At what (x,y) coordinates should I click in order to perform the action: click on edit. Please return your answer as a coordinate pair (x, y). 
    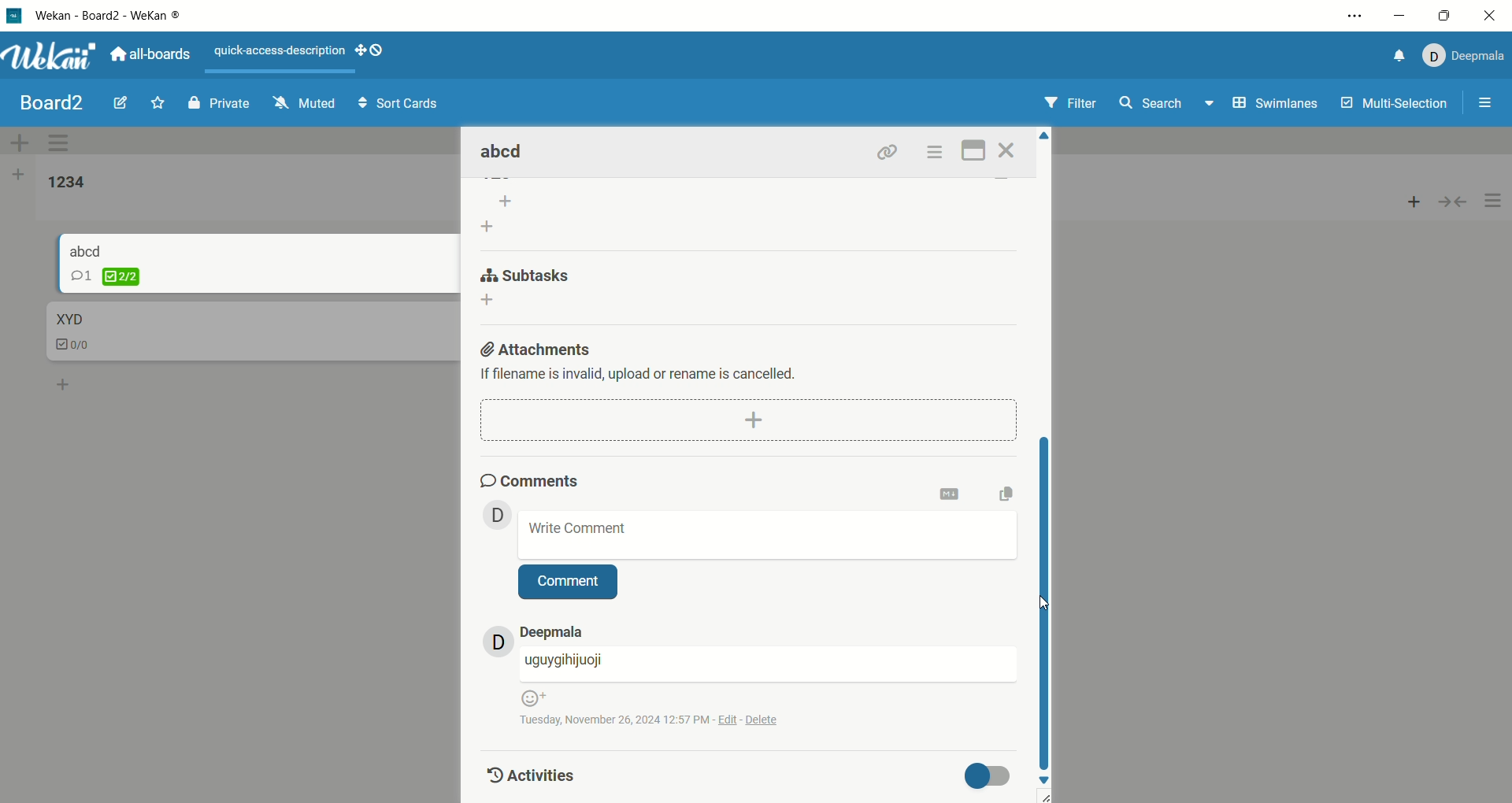
    Looking at the image, I should click on (120, 101).